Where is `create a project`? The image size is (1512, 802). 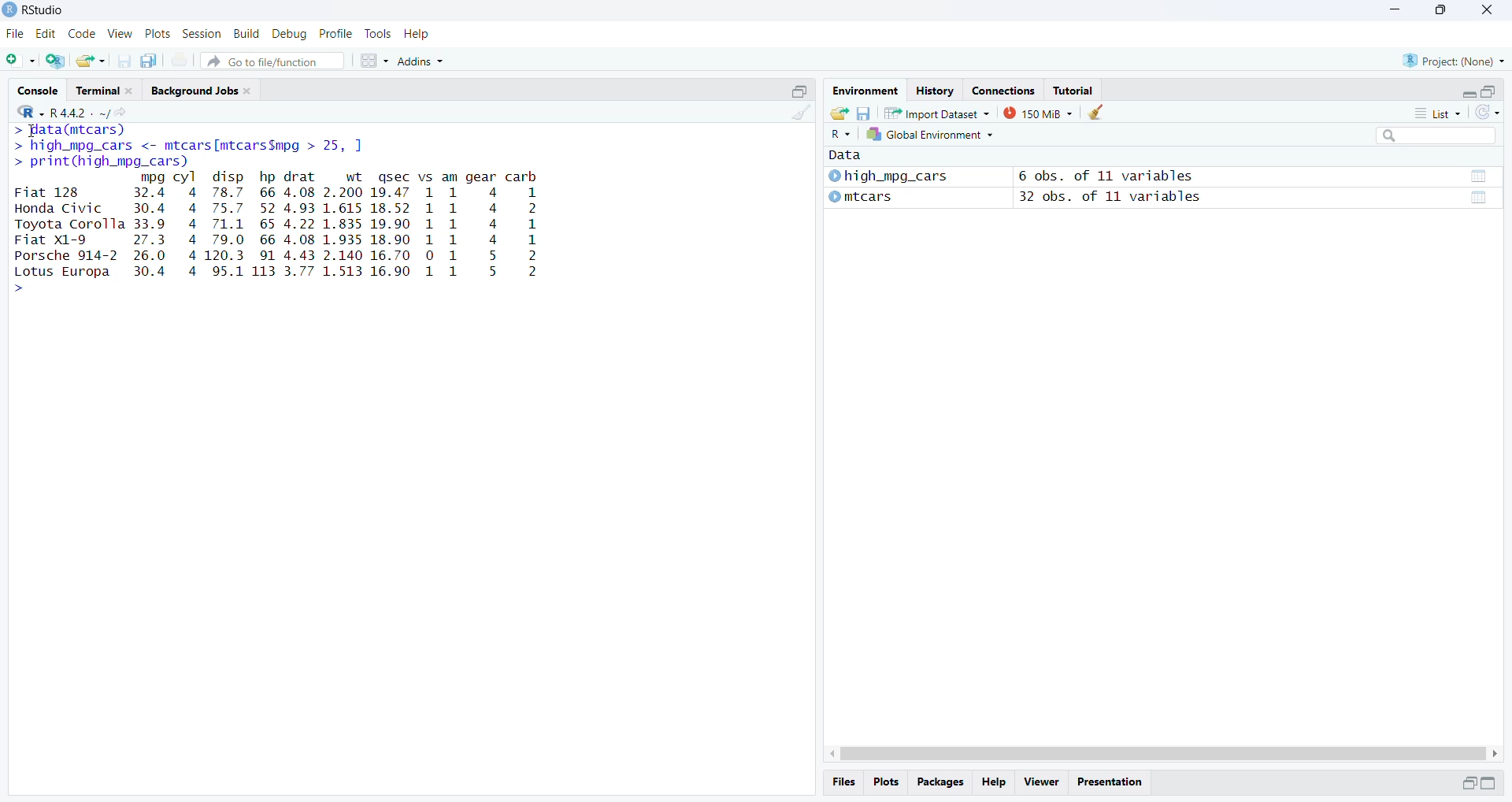
create a project is located at coordinates (57, 61).